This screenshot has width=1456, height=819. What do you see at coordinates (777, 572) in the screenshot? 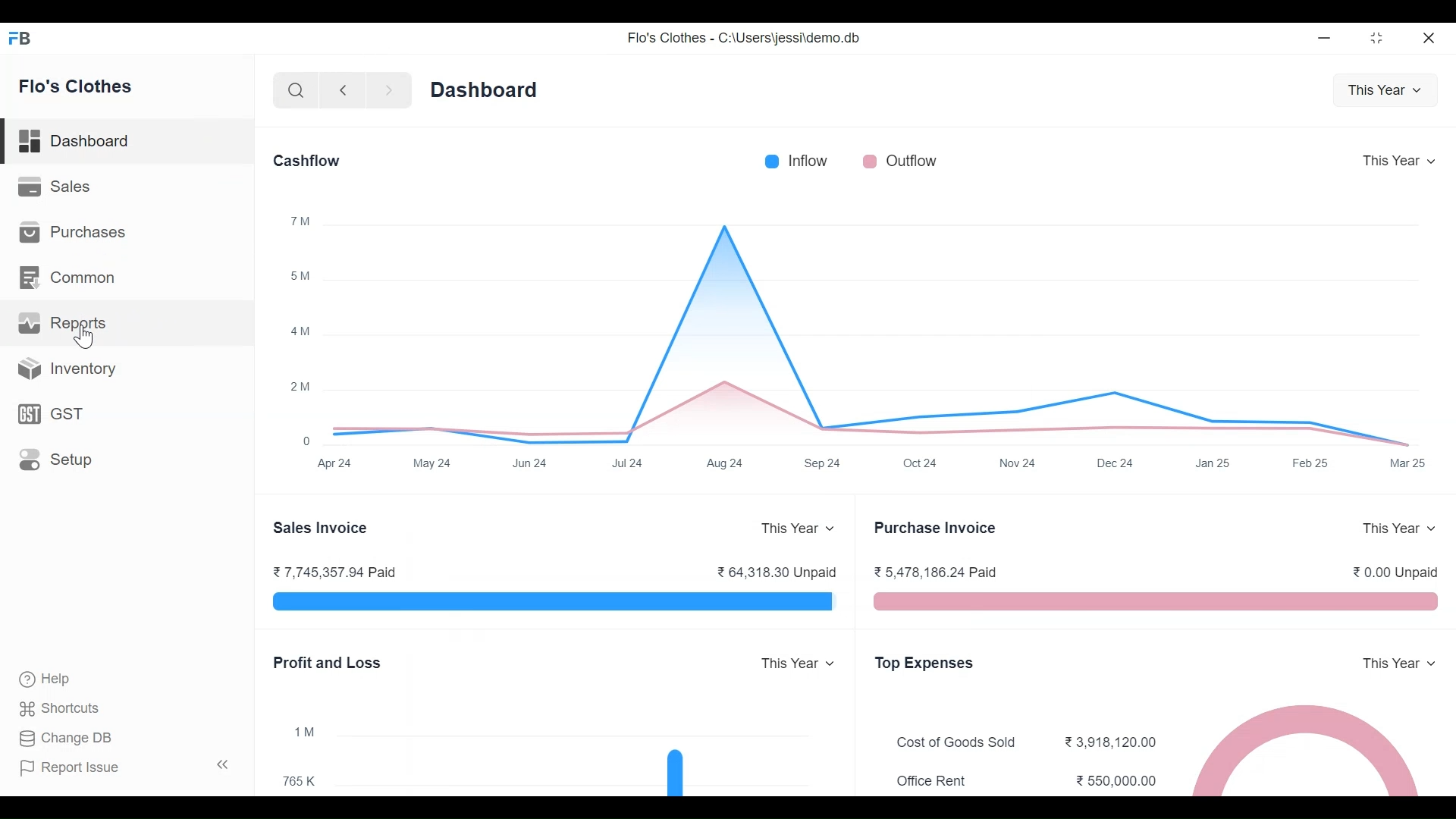
I see ` 64,318.30 Unpaid` at bounding box center [777, 572].